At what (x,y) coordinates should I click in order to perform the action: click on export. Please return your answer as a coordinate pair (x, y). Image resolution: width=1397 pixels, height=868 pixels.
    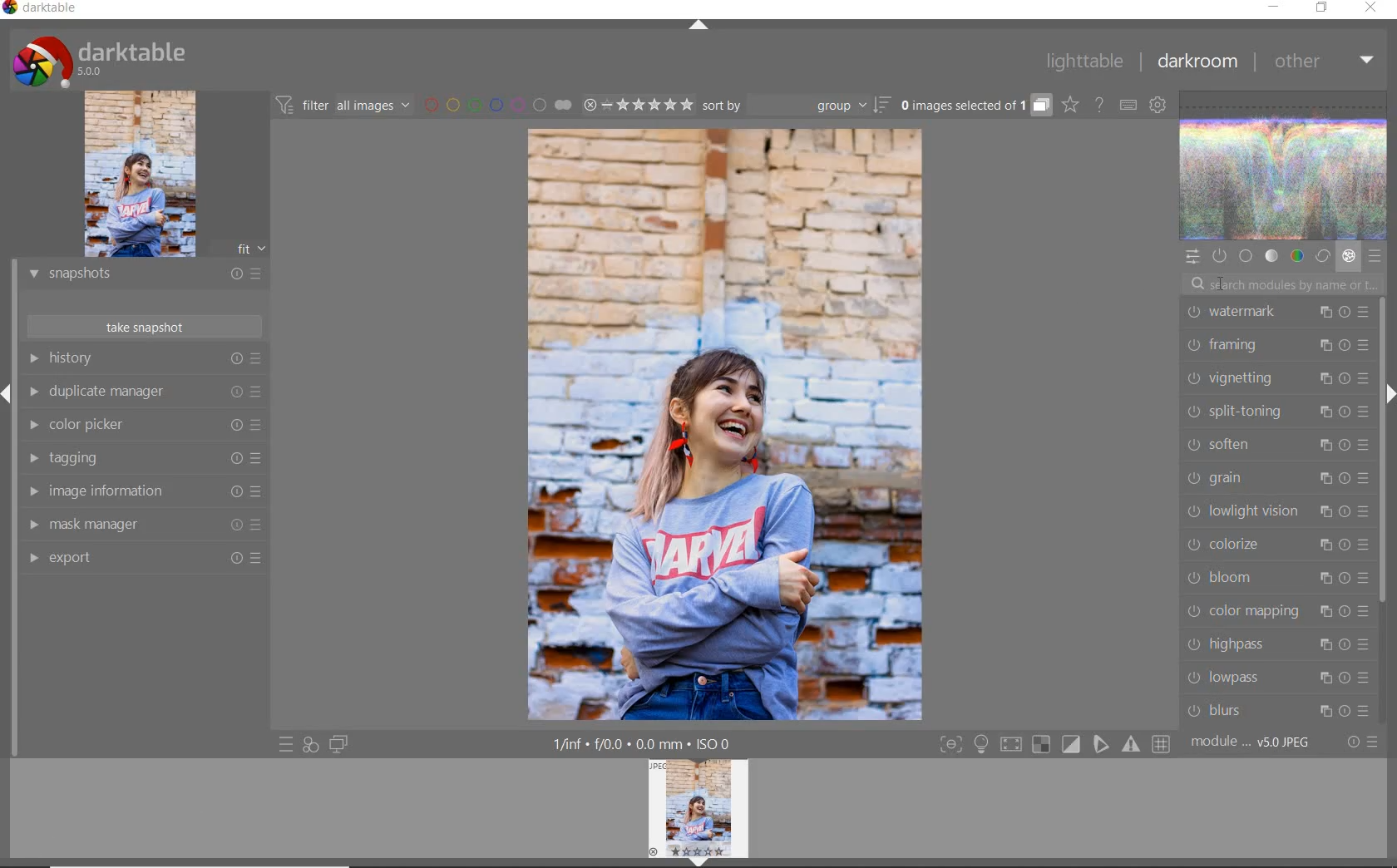
    Looking at the image, I should click on (146, 558).